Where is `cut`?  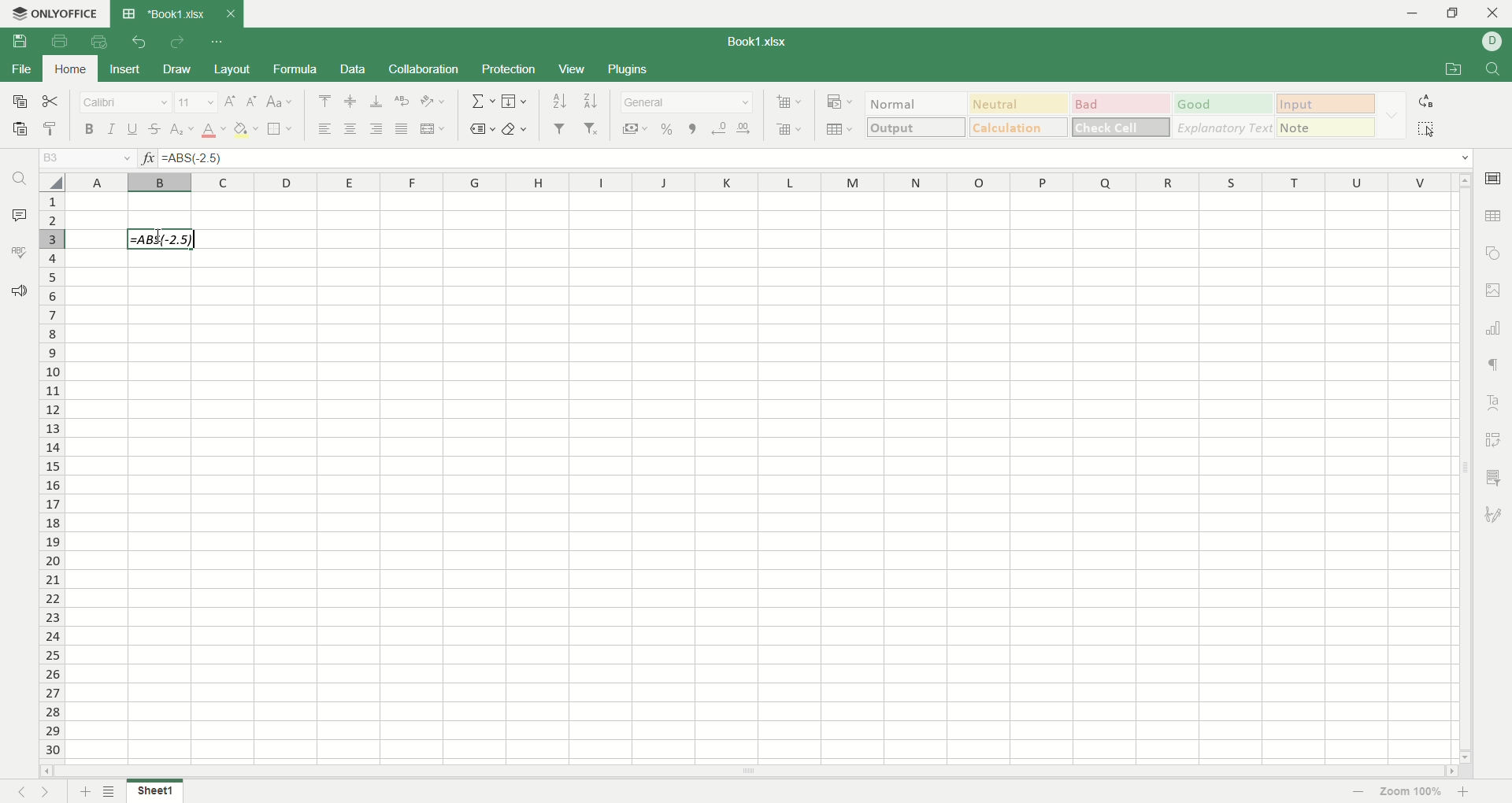
cut is located at coordinates (50, 102).